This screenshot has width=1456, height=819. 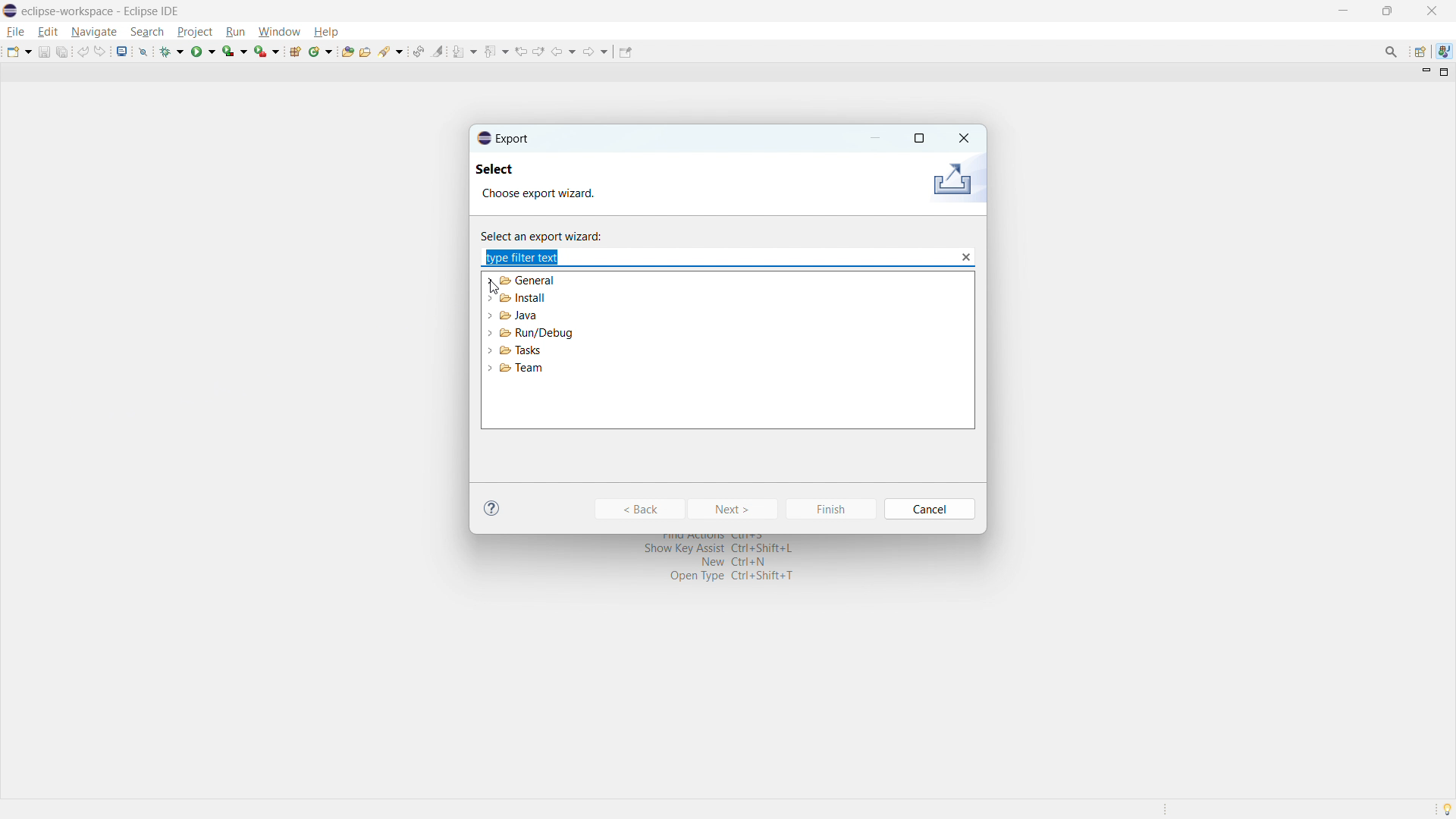 What do you see at coordinates (734, 509) in the screenshot?
I see `next` at bounding box center [734, 509].